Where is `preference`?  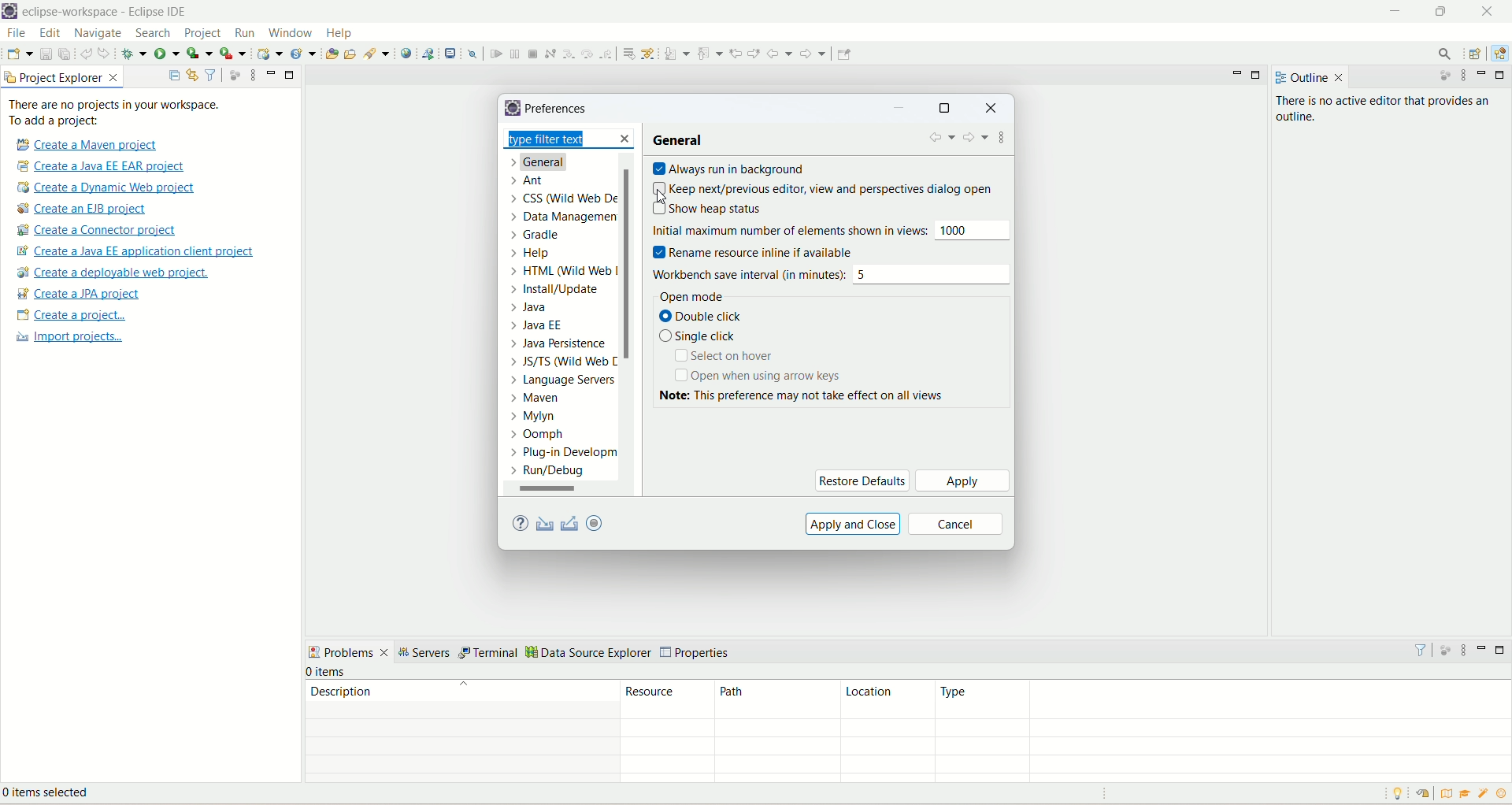 preference is located at coordinates (559, 109).